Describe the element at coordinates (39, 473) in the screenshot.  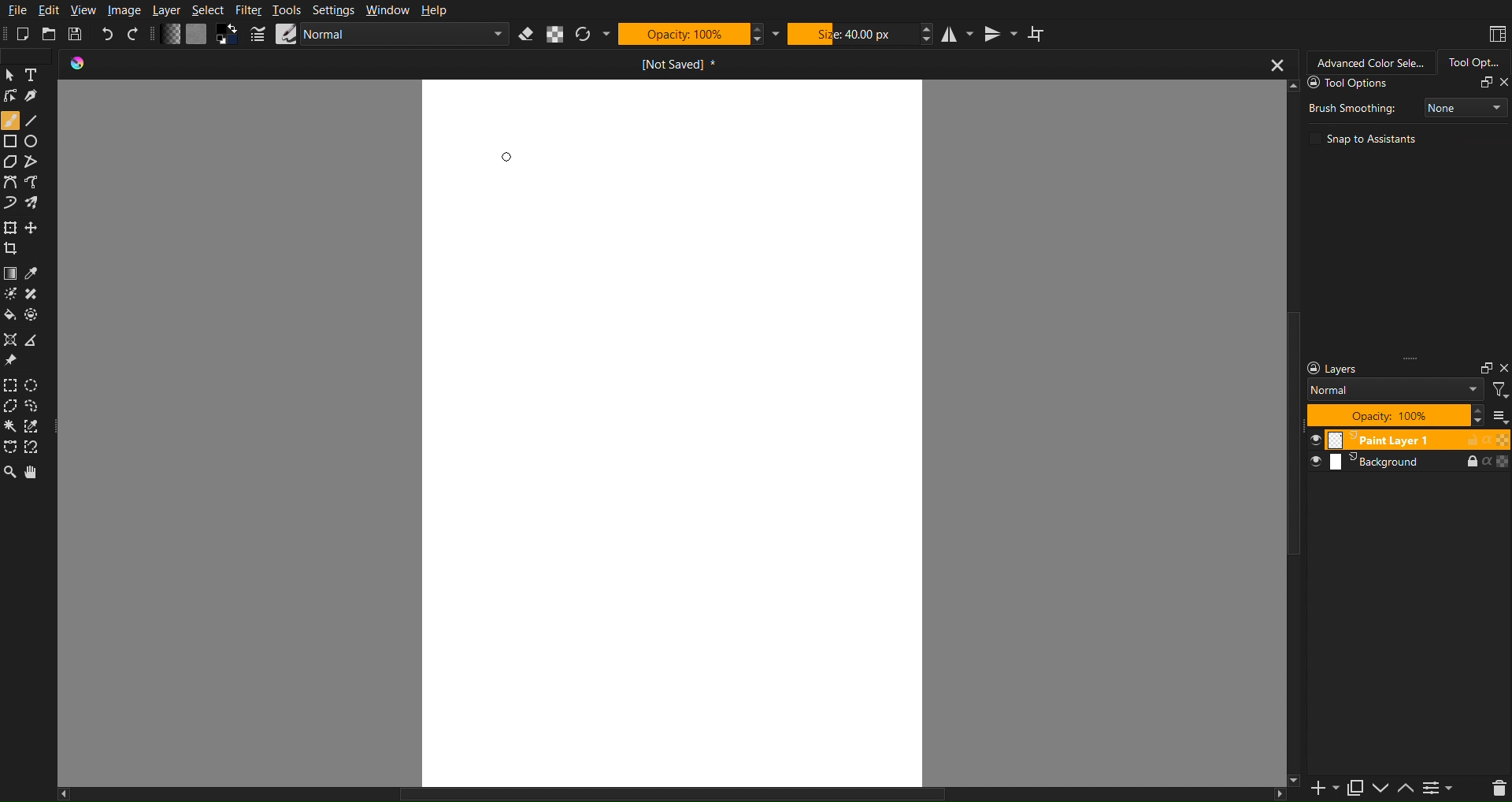
I see `Pan` at that location.